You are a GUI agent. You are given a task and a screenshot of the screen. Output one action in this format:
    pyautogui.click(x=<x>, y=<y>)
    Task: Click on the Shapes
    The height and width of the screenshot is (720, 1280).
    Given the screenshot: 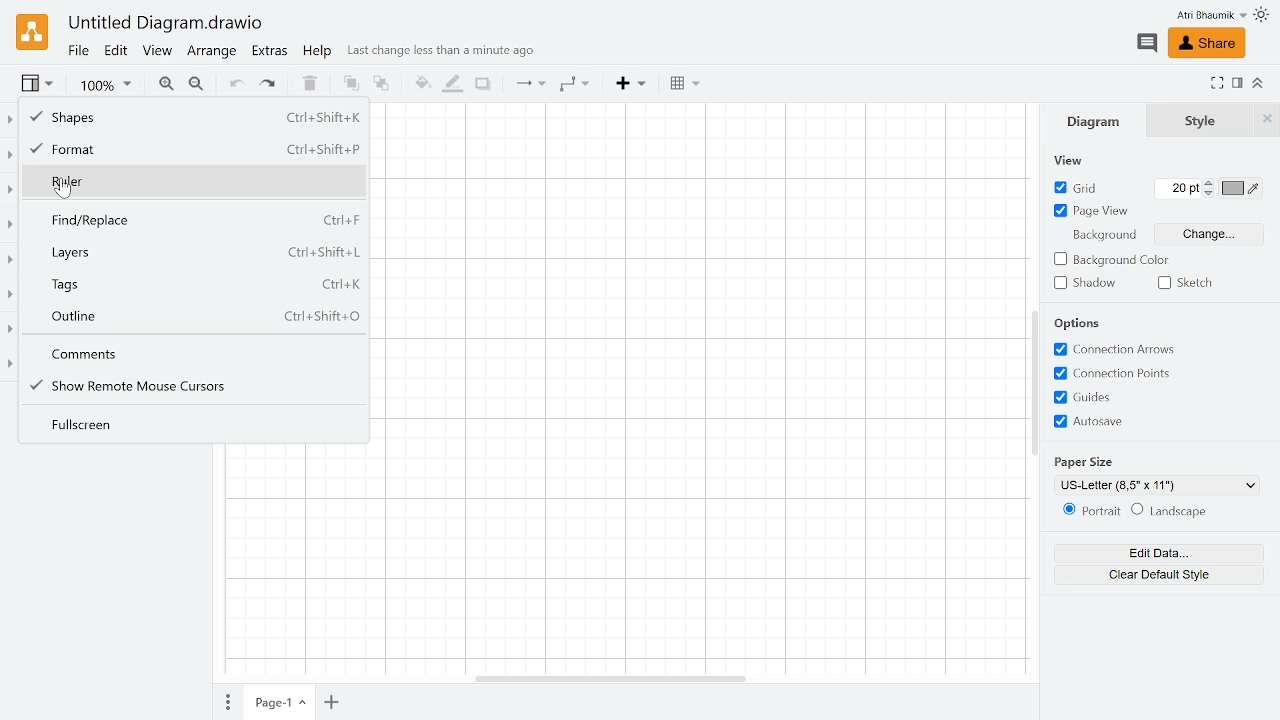 What is the action you would take?
    pyautogui.click(x=184, y=117)
    